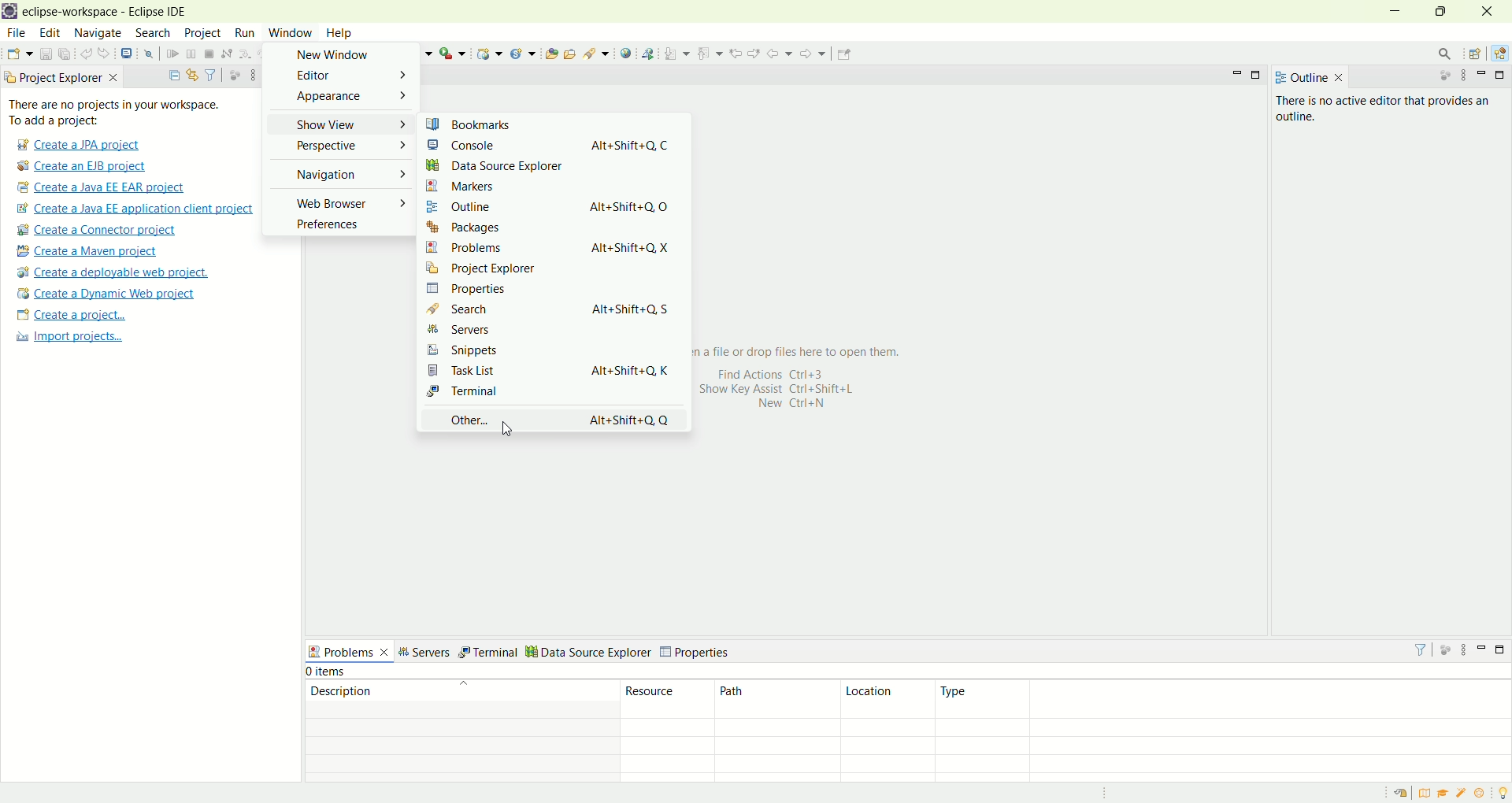 This screenshot has height=803, width=1512. I want to click on previous edit location, so click(736, 52).